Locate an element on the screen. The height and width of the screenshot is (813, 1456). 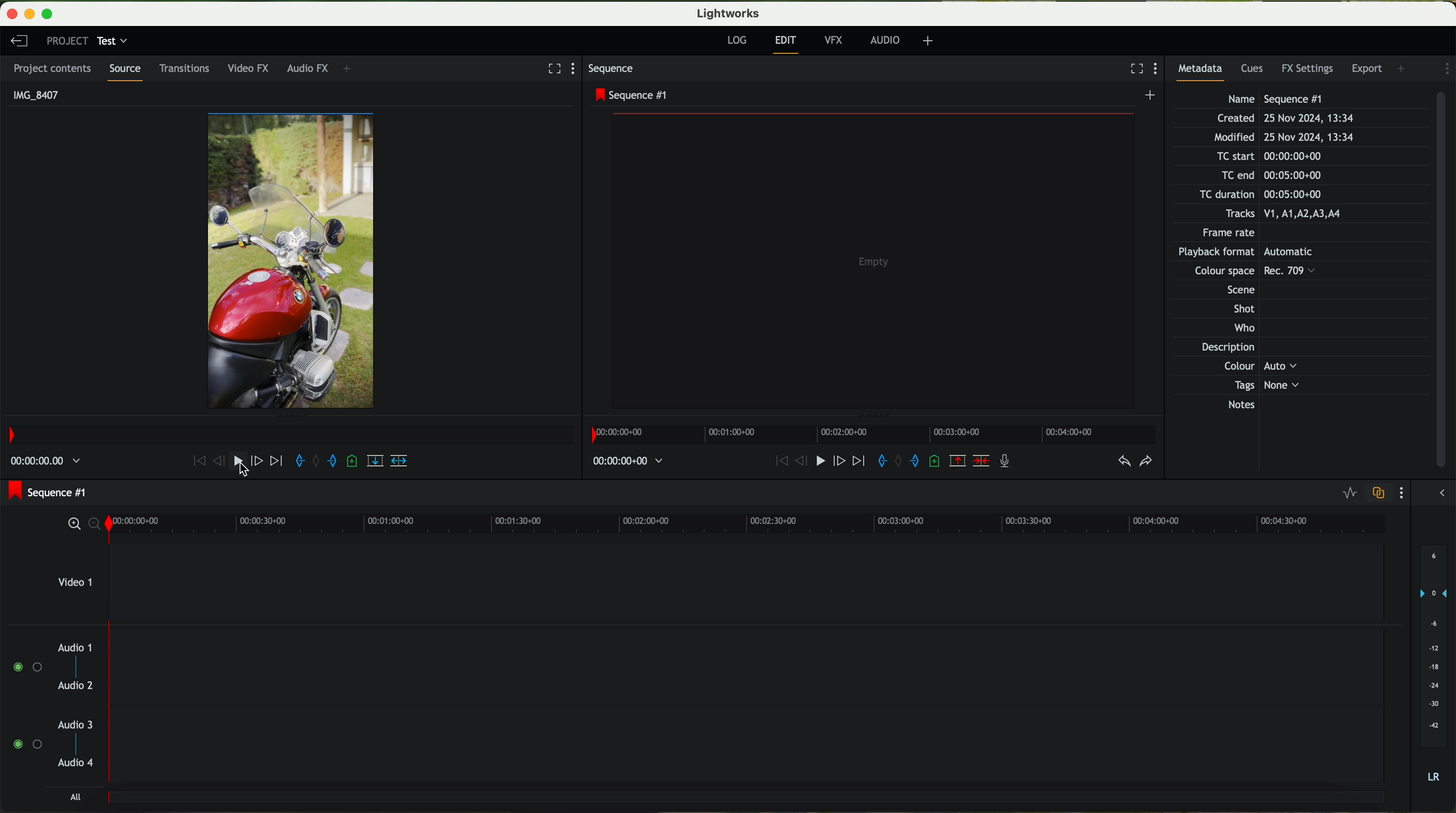
time is located at coordinates (48, 462).